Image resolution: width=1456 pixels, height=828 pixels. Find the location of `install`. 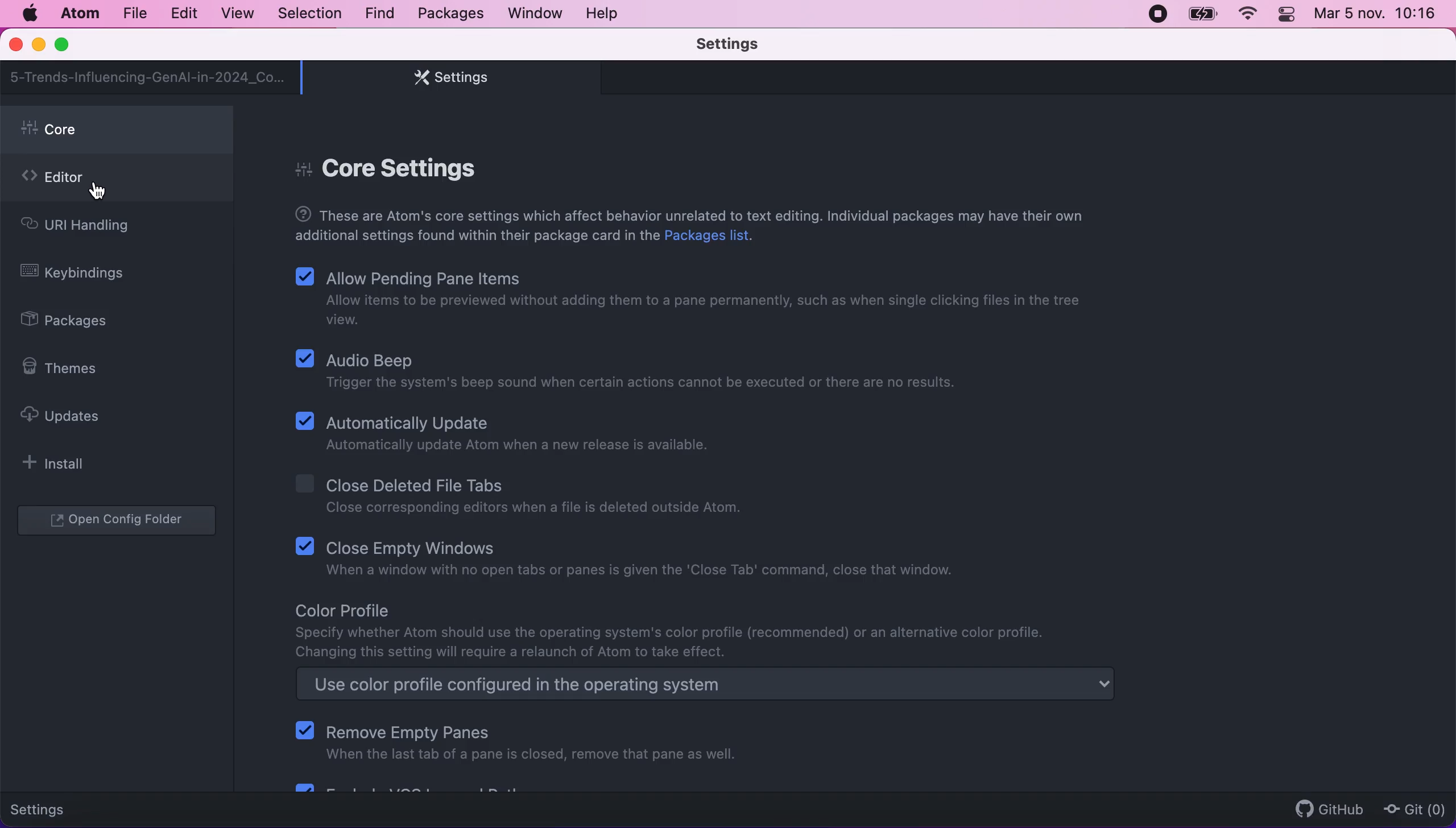

install is located at coordinates (60, 463).